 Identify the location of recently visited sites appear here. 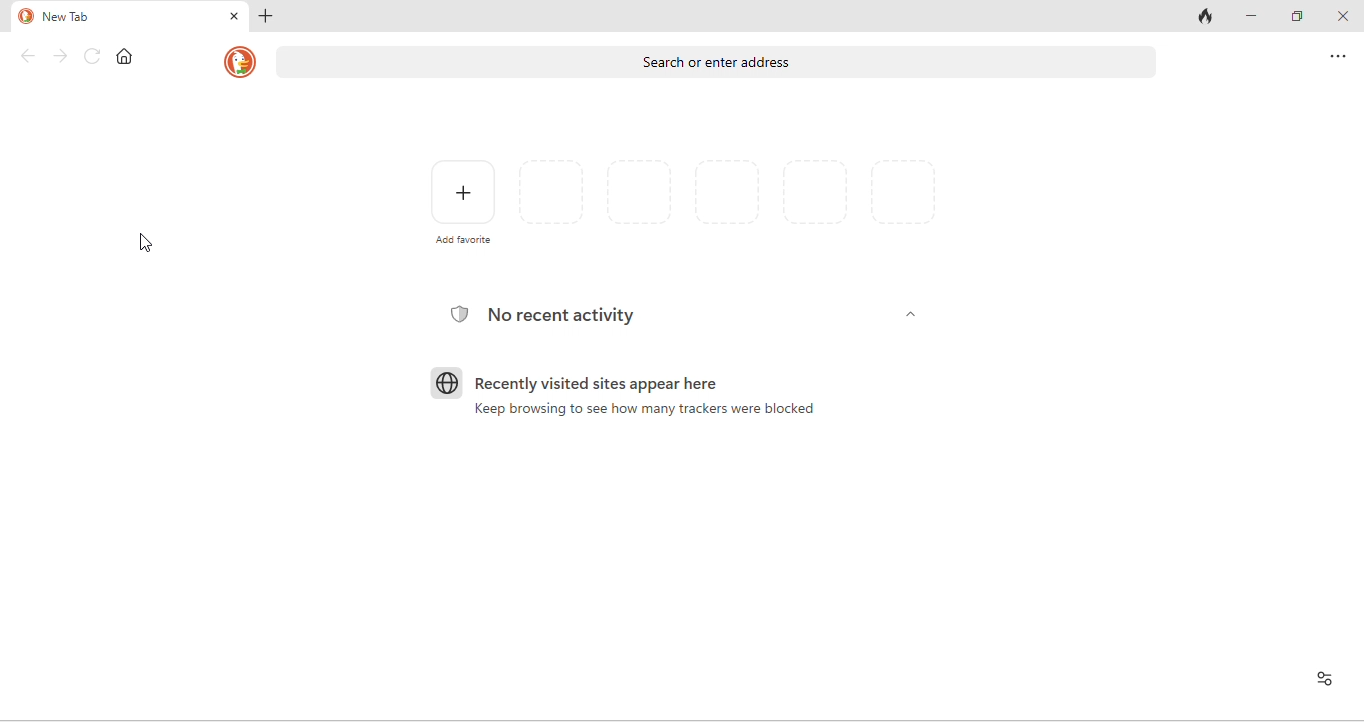
(610, 385).